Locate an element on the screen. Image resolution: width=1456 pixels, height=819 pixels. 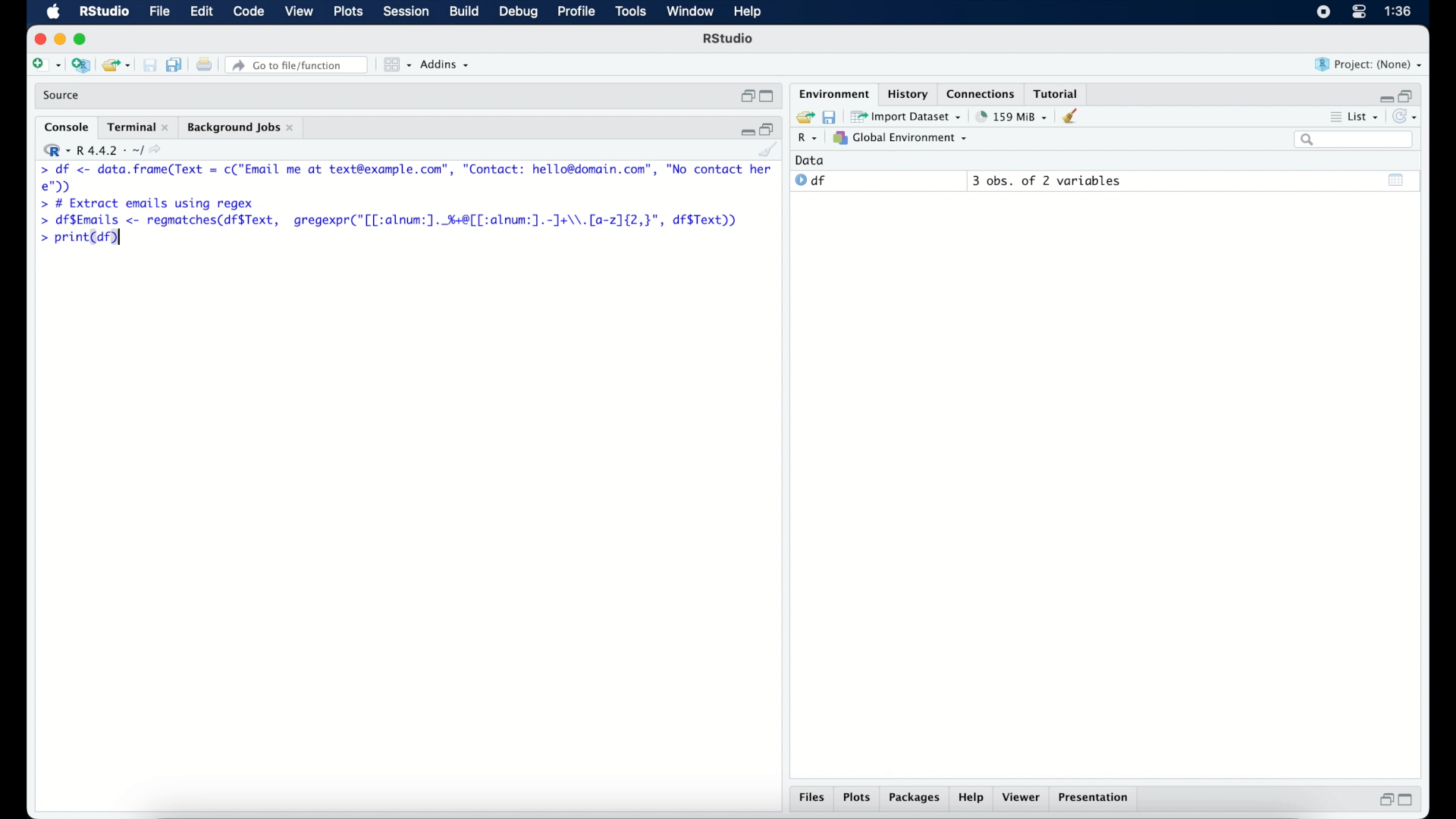
session is located at coordinates (406, 12).